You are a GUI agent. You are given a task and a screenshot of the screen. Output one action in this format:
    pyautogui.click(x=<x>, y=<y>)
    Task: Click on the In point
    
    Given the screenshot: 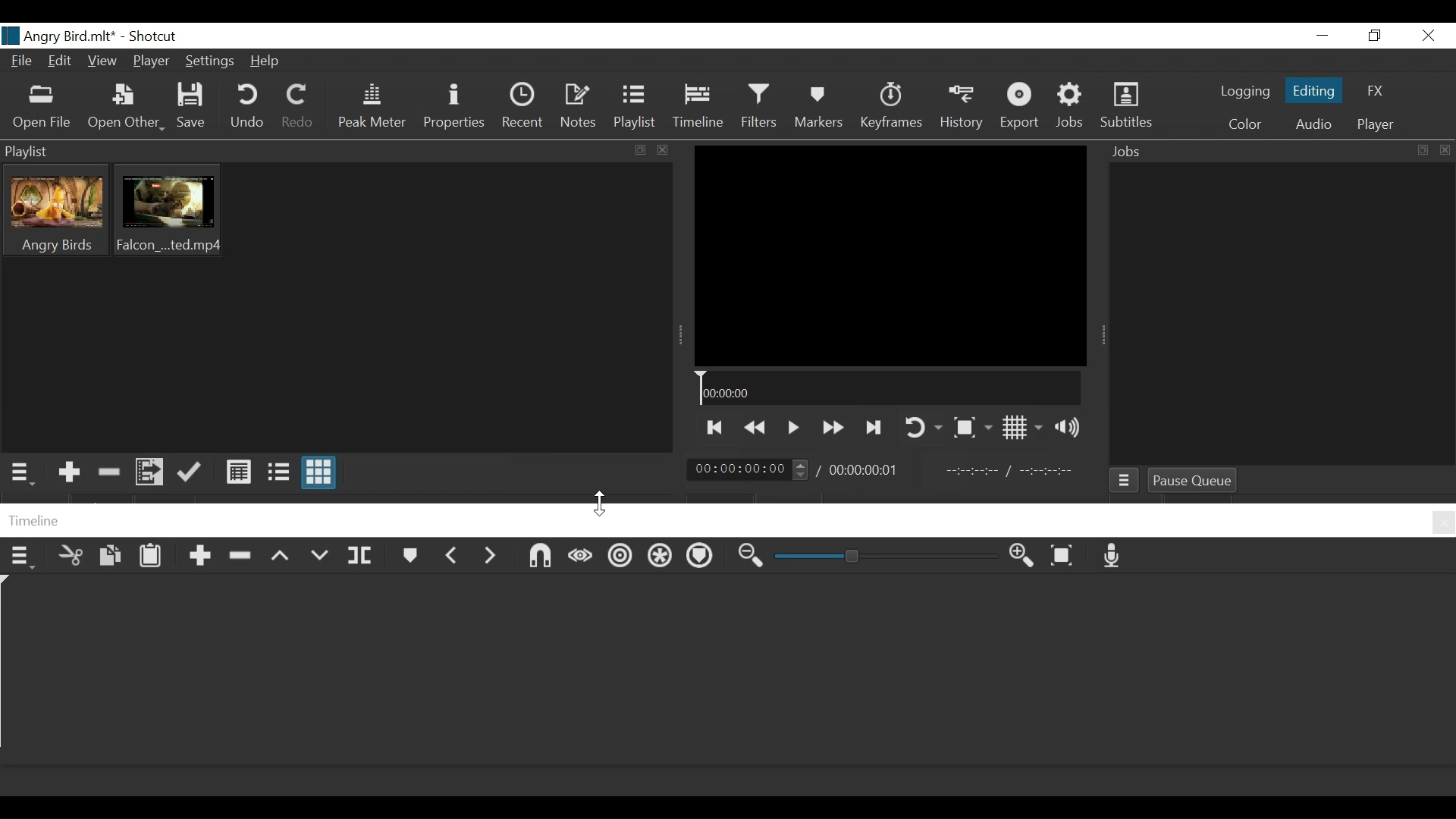 What is the action you would take?
    pyautogui.click(x=1006, y=469)
    